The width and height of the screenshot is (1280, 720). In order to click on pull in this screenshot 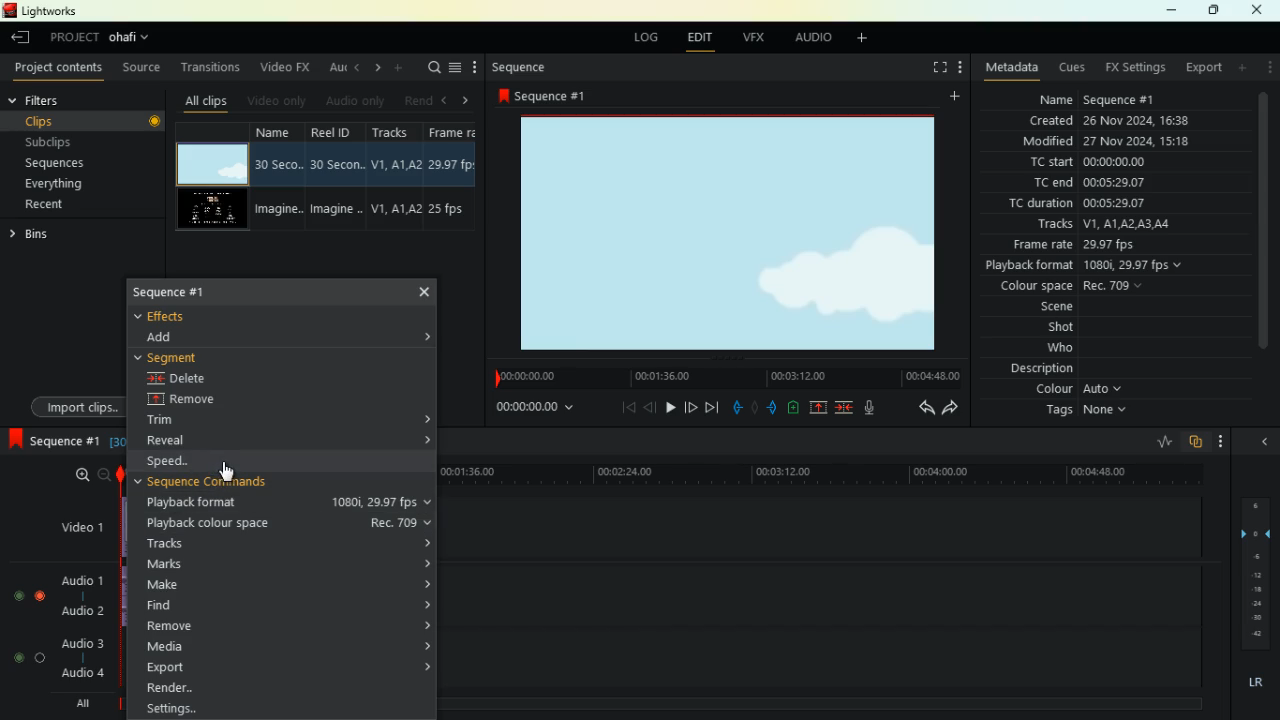, I will do `click(734, 408)`.